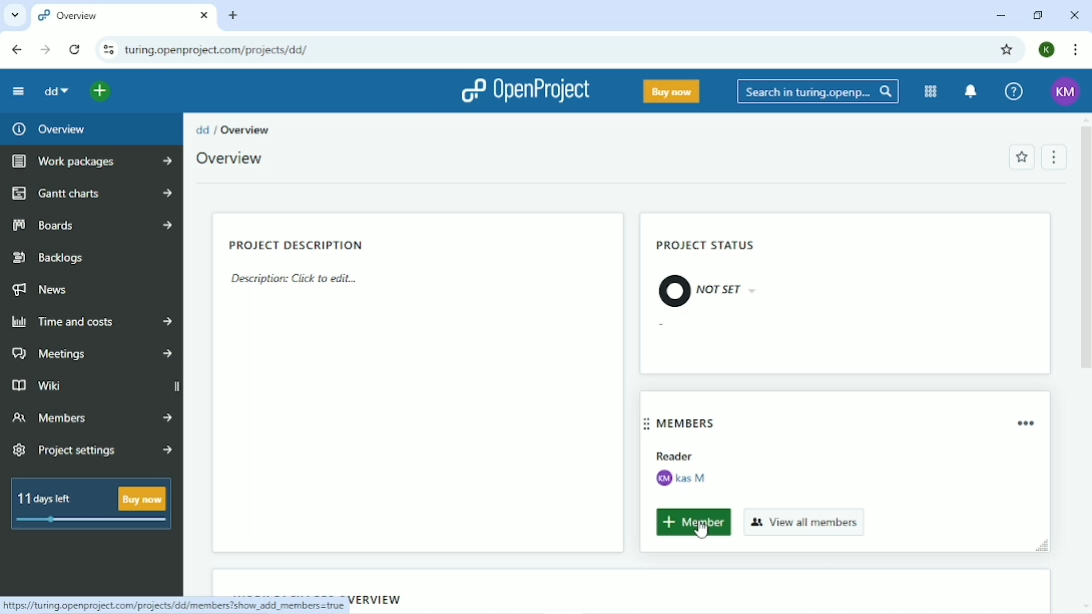 Image resolution: width=1092 pixels, height=614 pixels. Describe the element at coordinates (527, 90) in the screenshot. I see `OpenProject` at that location.